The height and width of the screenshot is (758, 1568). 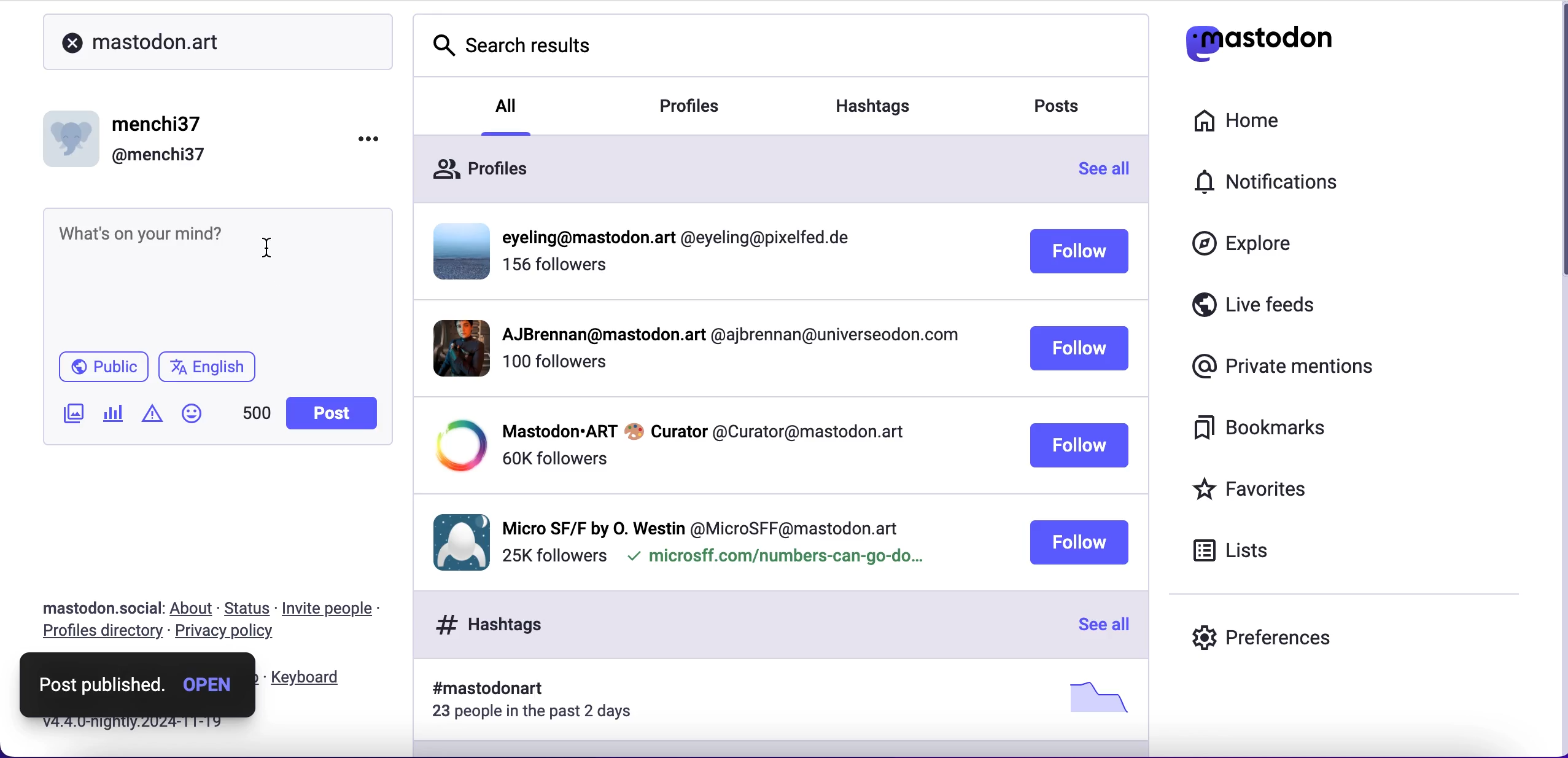 What do you see at coordinates (1246, 249) in the screenshot?
I see `explore` at bounding box center [1246, 249].